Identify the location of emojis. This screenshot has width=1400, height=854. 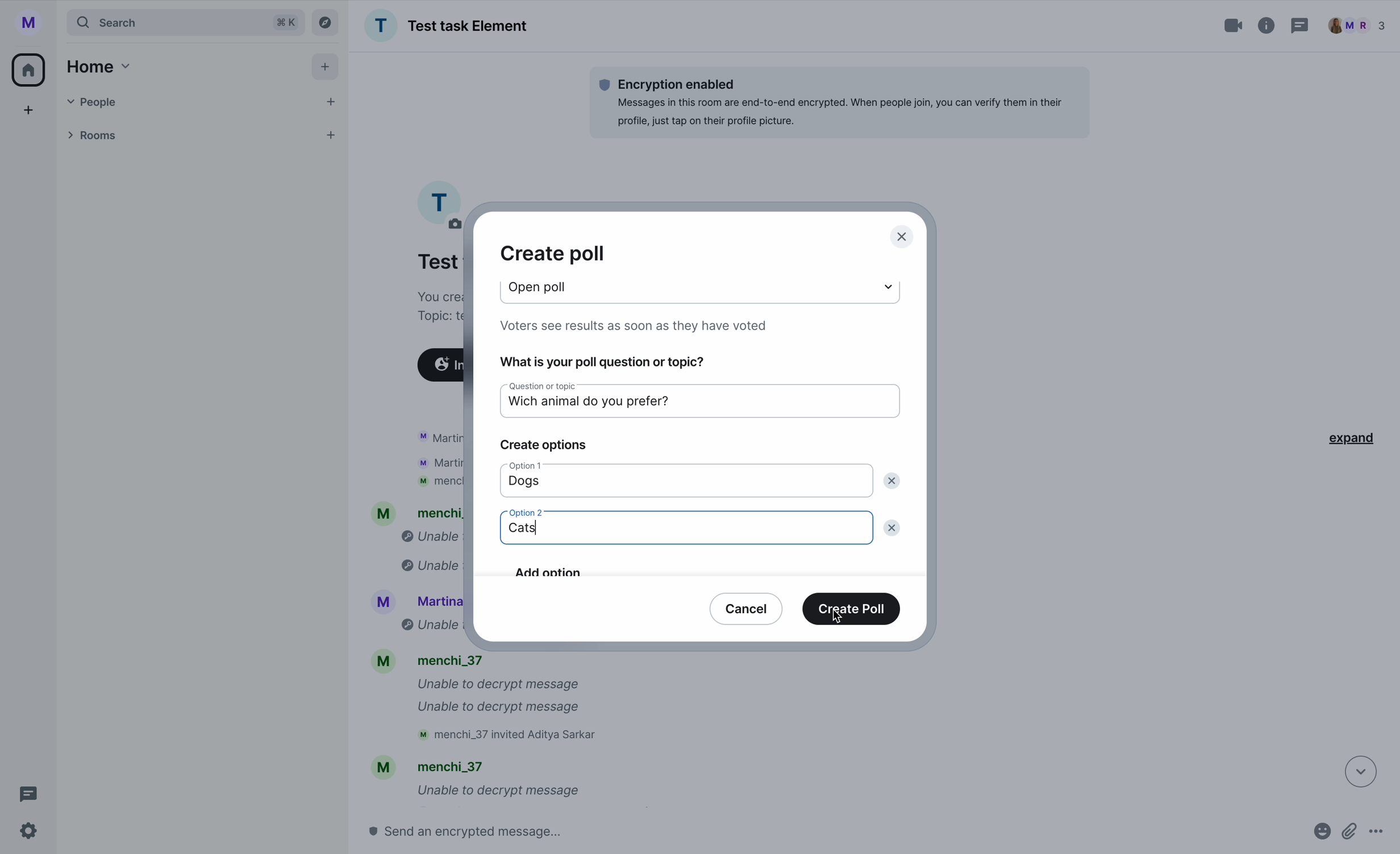
(1319, 836).